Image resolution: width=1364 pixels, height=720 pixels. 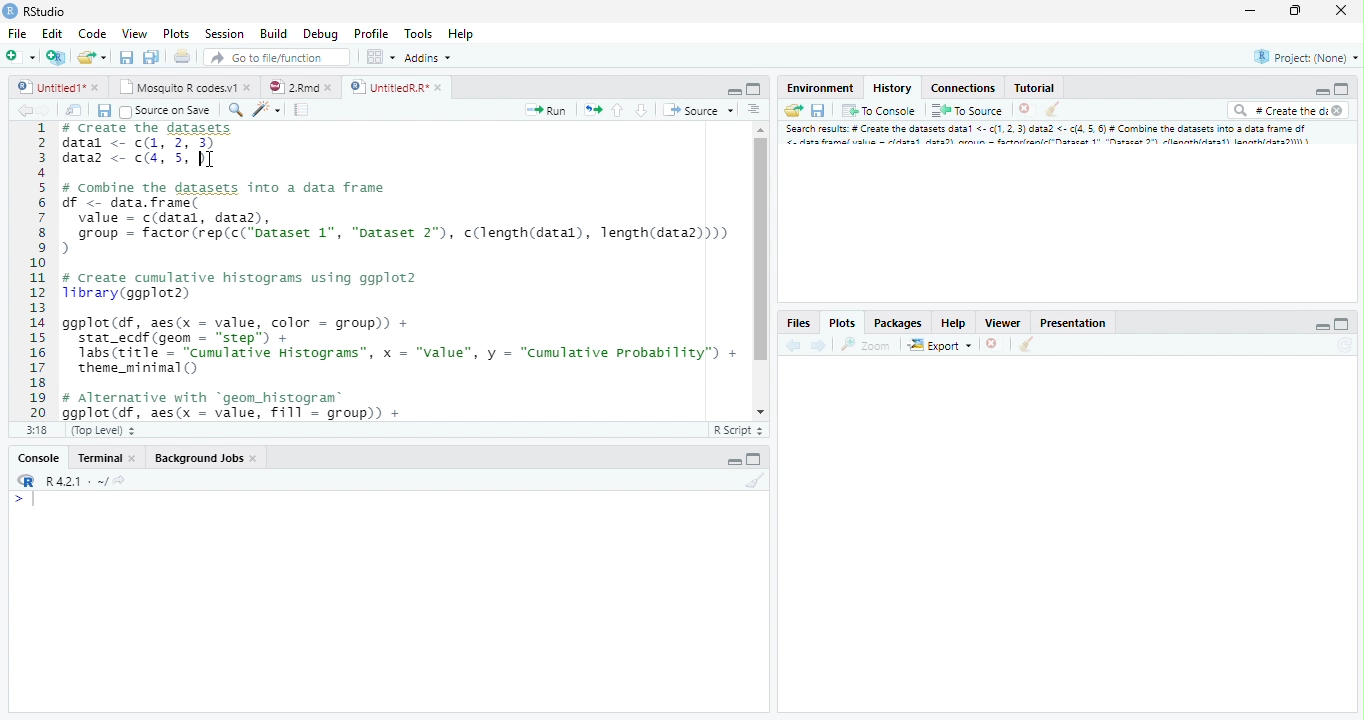 What do you see at coordinates (420, 35) in the screenshot?
I see `Tools` at bounding box center [420, 35].